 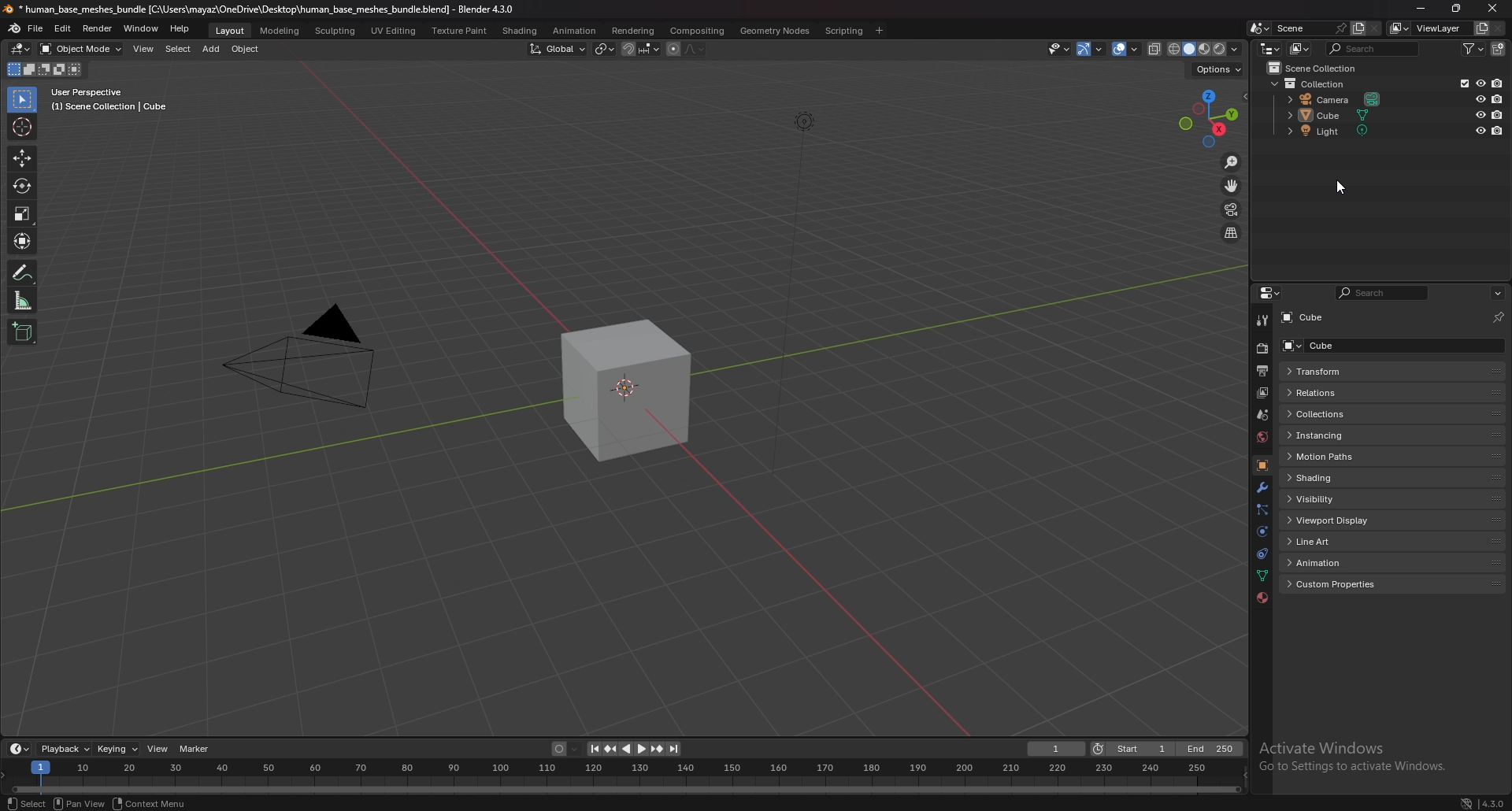 I want to click on tool, so click(x=1263, y=320).